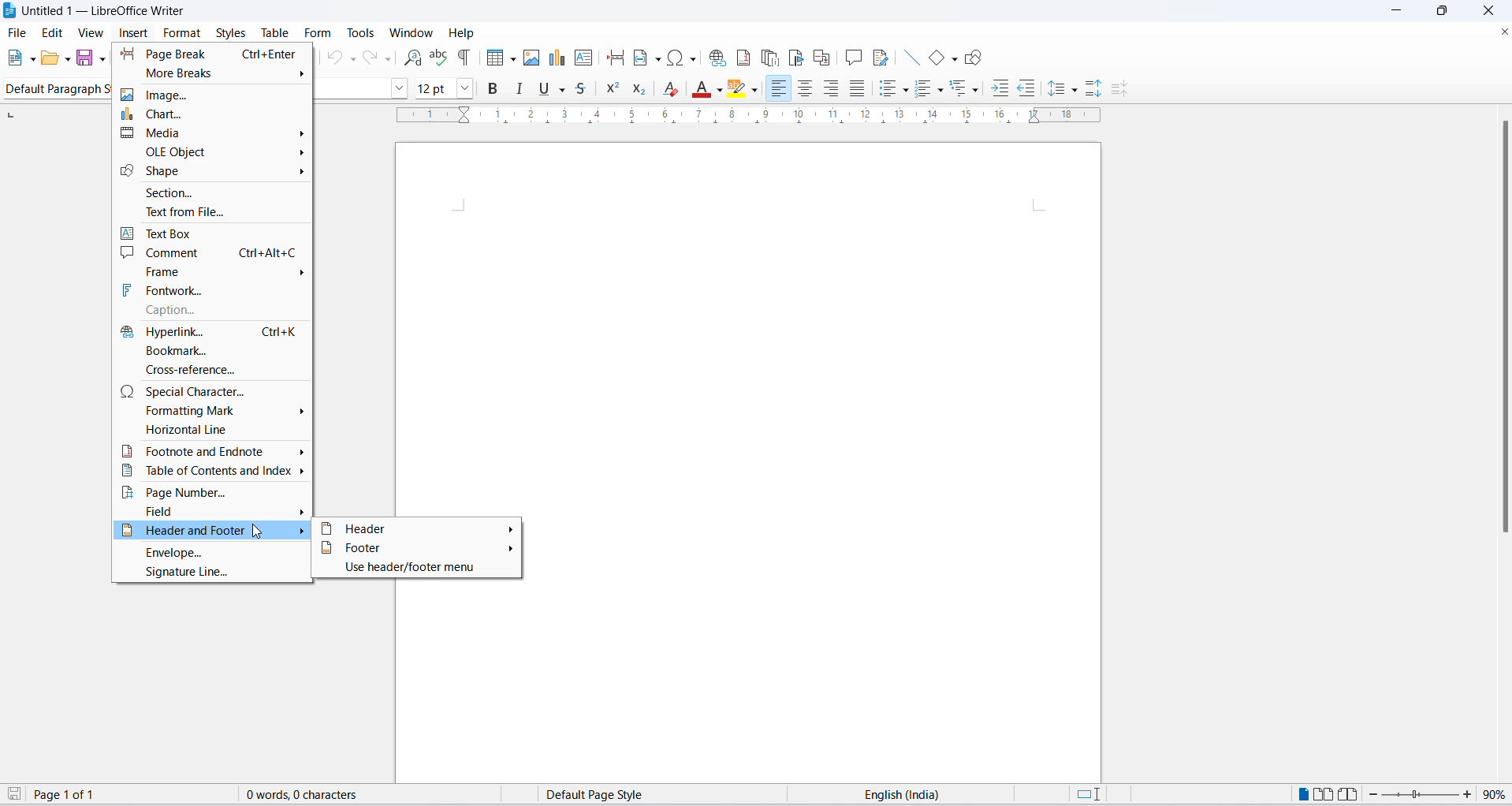 Image resolution: width=1512 pixels, height=806 pixels. What do you see at coordinates (402, 88) in the screenshot?
I see `font name options` at bounding box center [402, 88].